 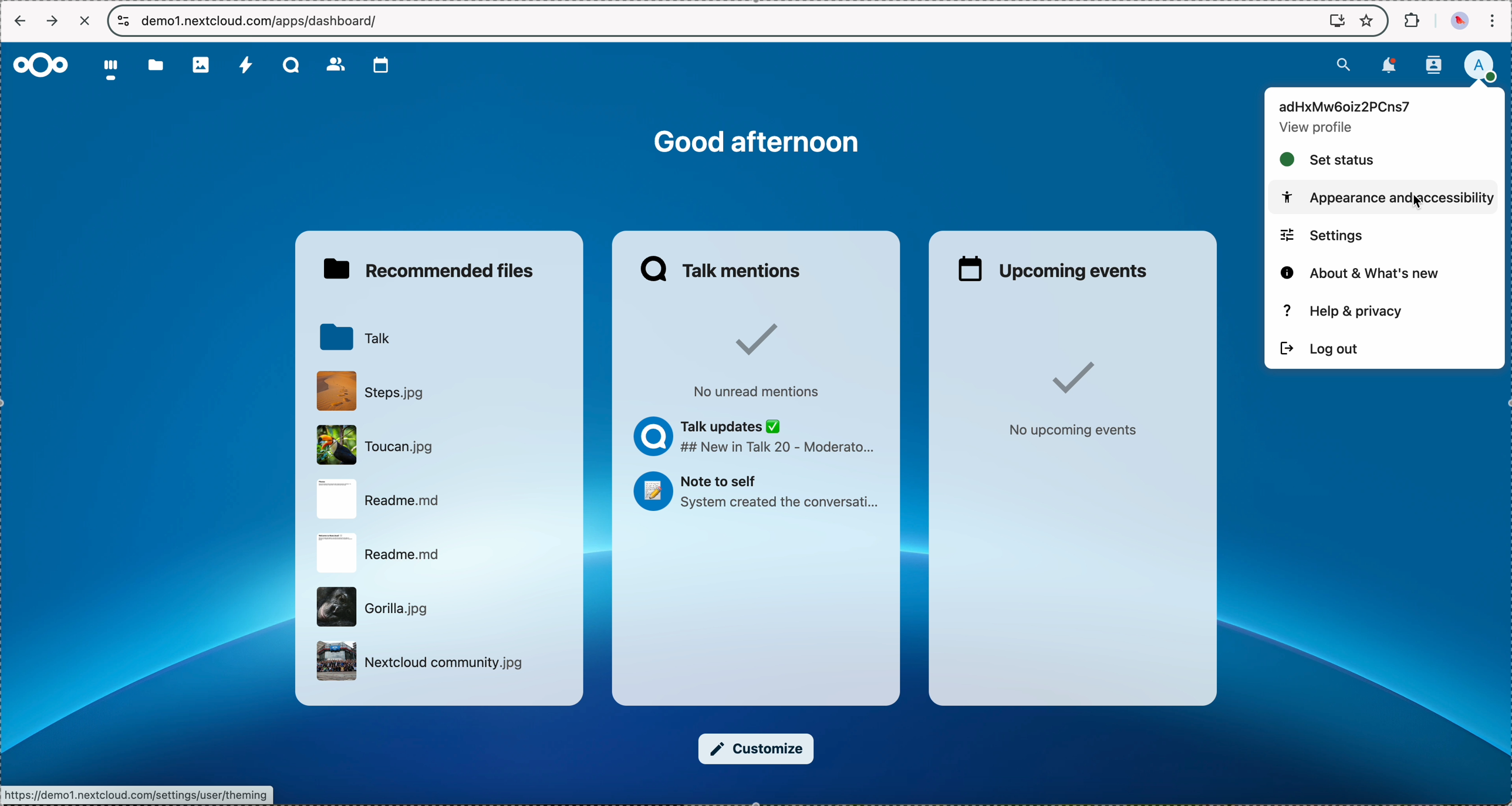 I want to click on Nextcloud logo, so click(x=42, y=64).